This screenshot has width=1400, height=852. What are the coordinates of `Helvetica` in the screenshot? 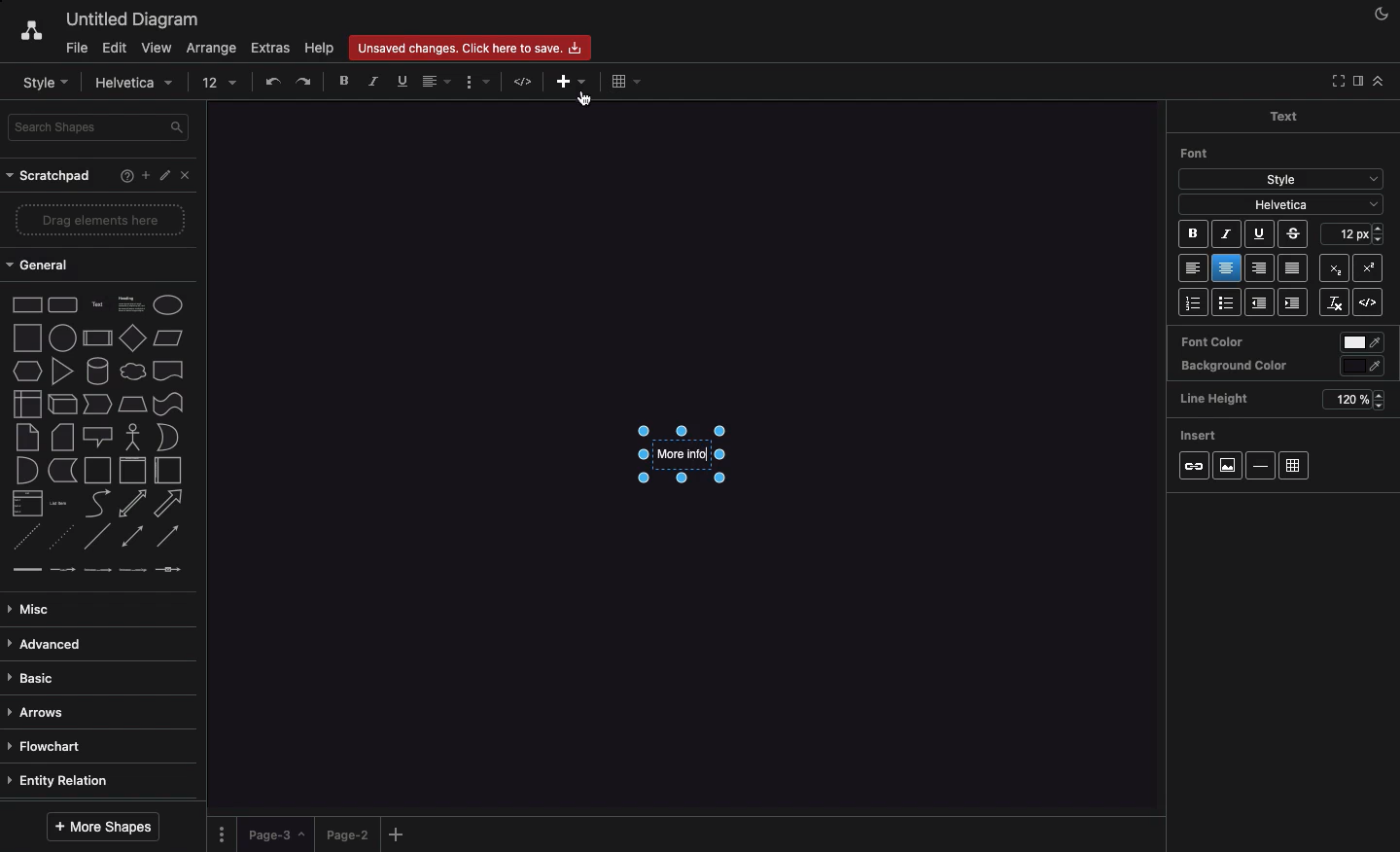 It's located at (1281, 203).